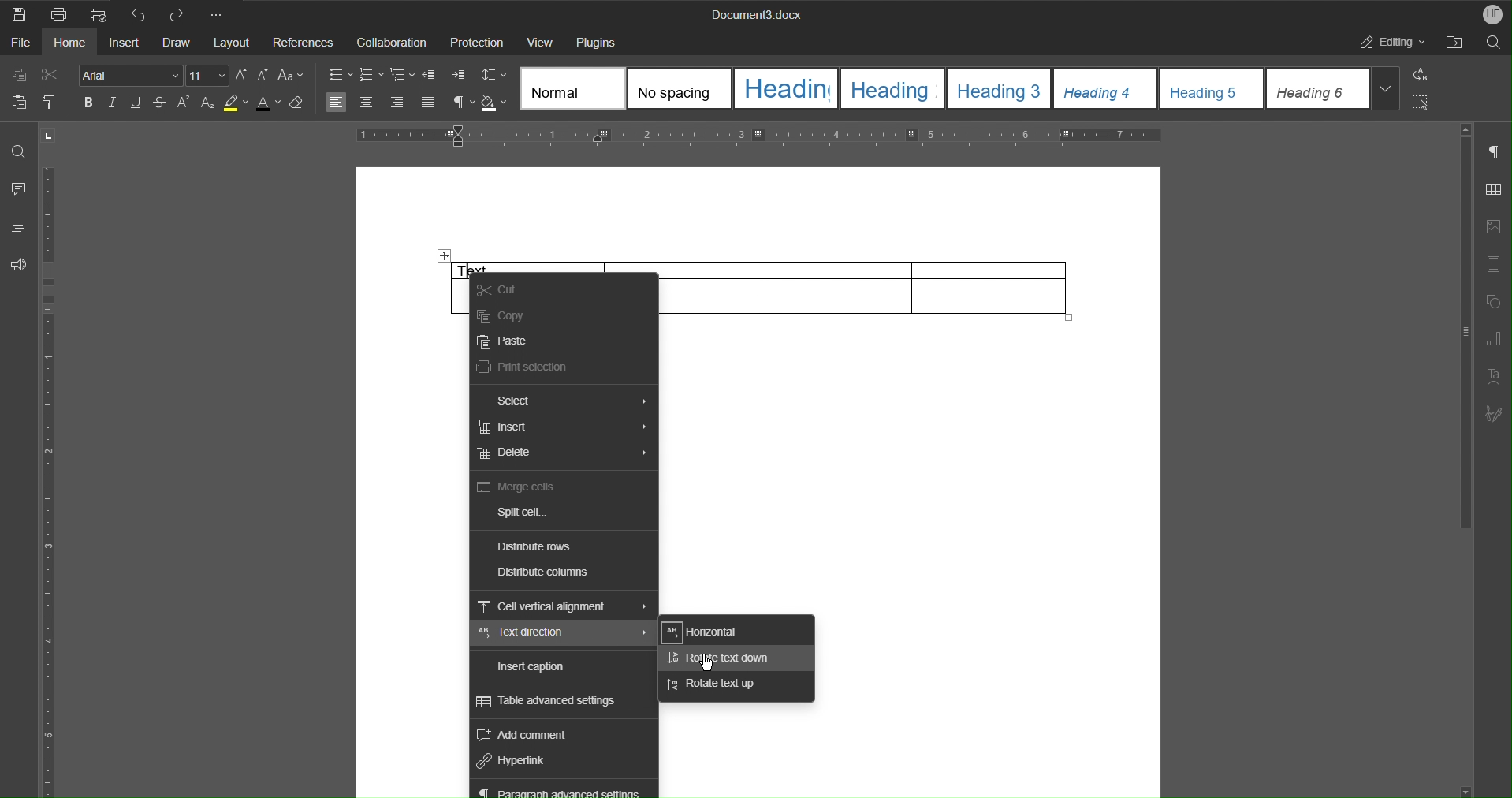 This screenshot has width=1512, height=798. What do you see at coordinates (498, 288) in the screenshot?
I see `Cut` at bounding box center [498, 288].